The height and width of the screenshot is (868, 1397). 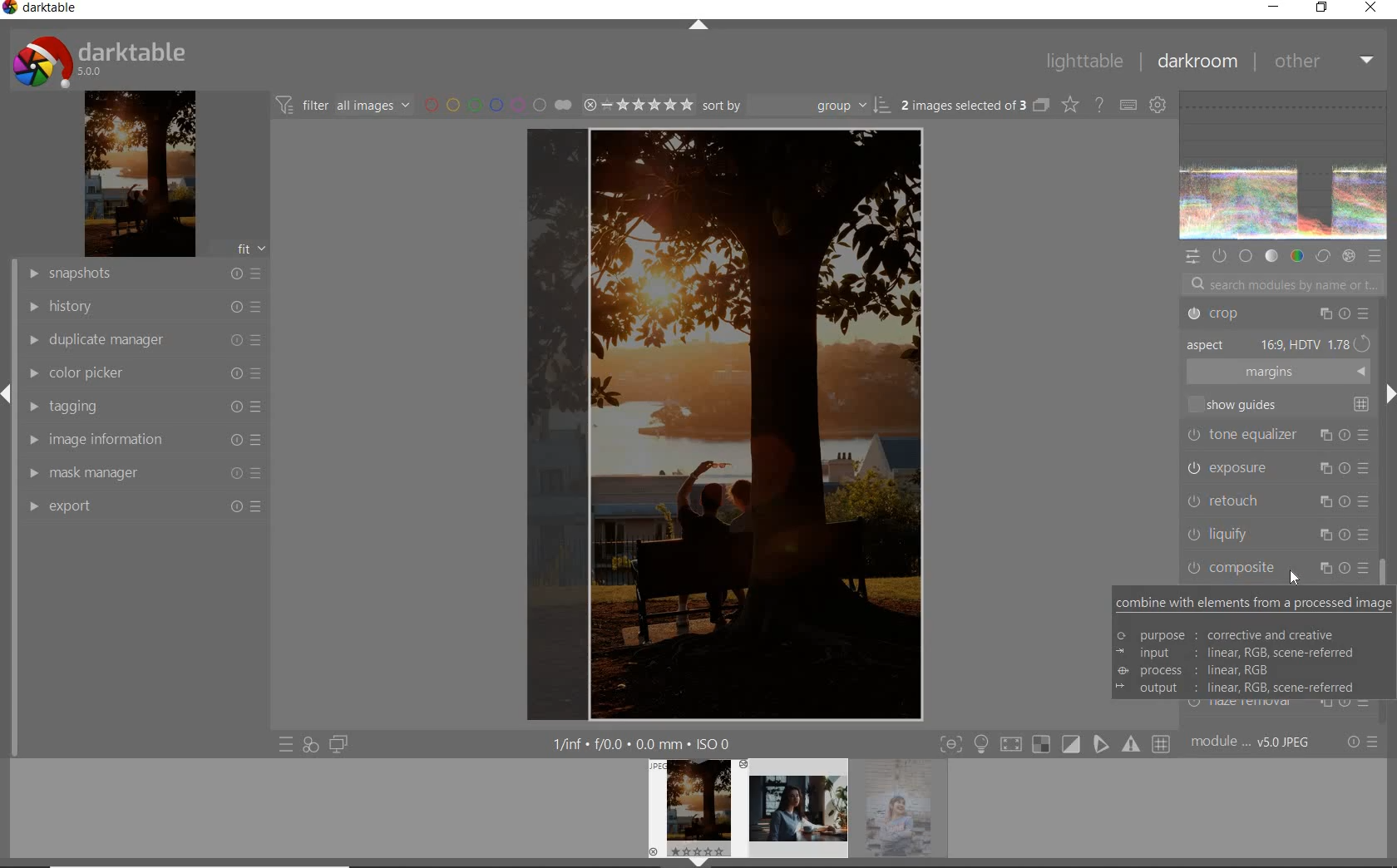 I want to click on composite, so click(x=1278, y=568).